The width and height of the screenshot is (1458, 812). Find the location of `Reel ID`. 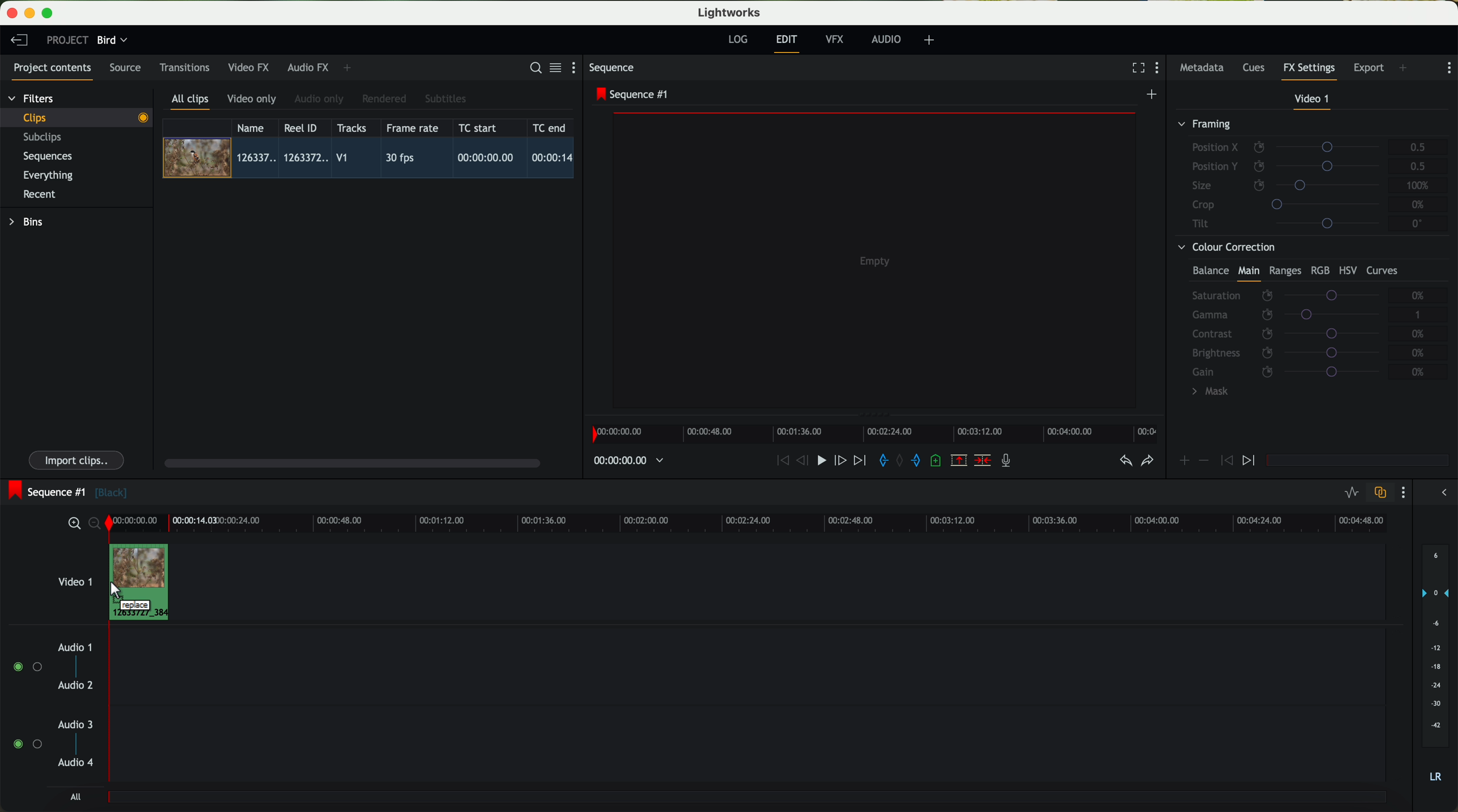

Reel ID is located at coordinates (303, 127).